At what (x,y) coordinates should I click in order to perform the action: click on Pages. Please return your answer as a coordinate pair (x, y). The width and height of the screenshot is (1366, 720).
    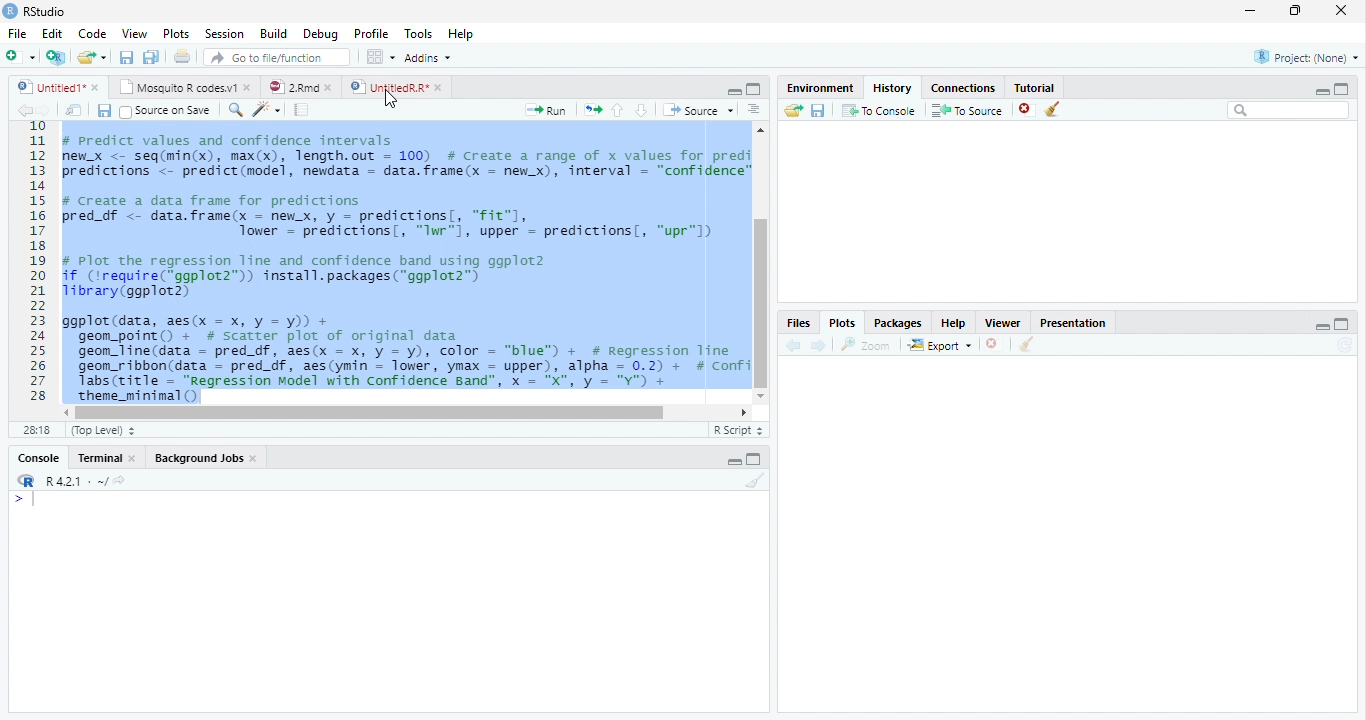
    Looking at the image, I should click on (305, 111).